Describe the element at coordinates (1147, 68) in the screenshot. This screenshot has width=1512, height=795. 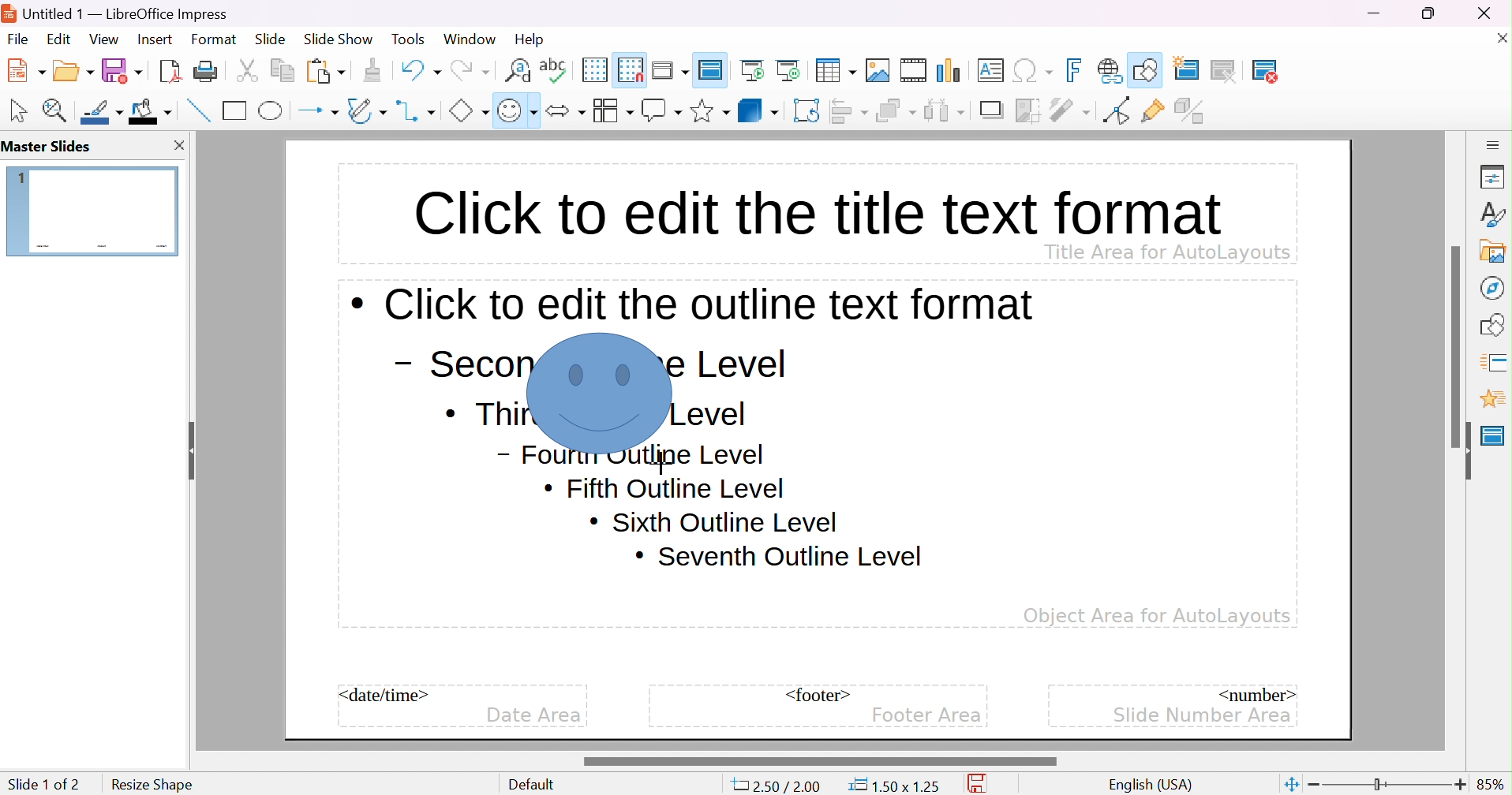
I see `show draw functions` at that location.